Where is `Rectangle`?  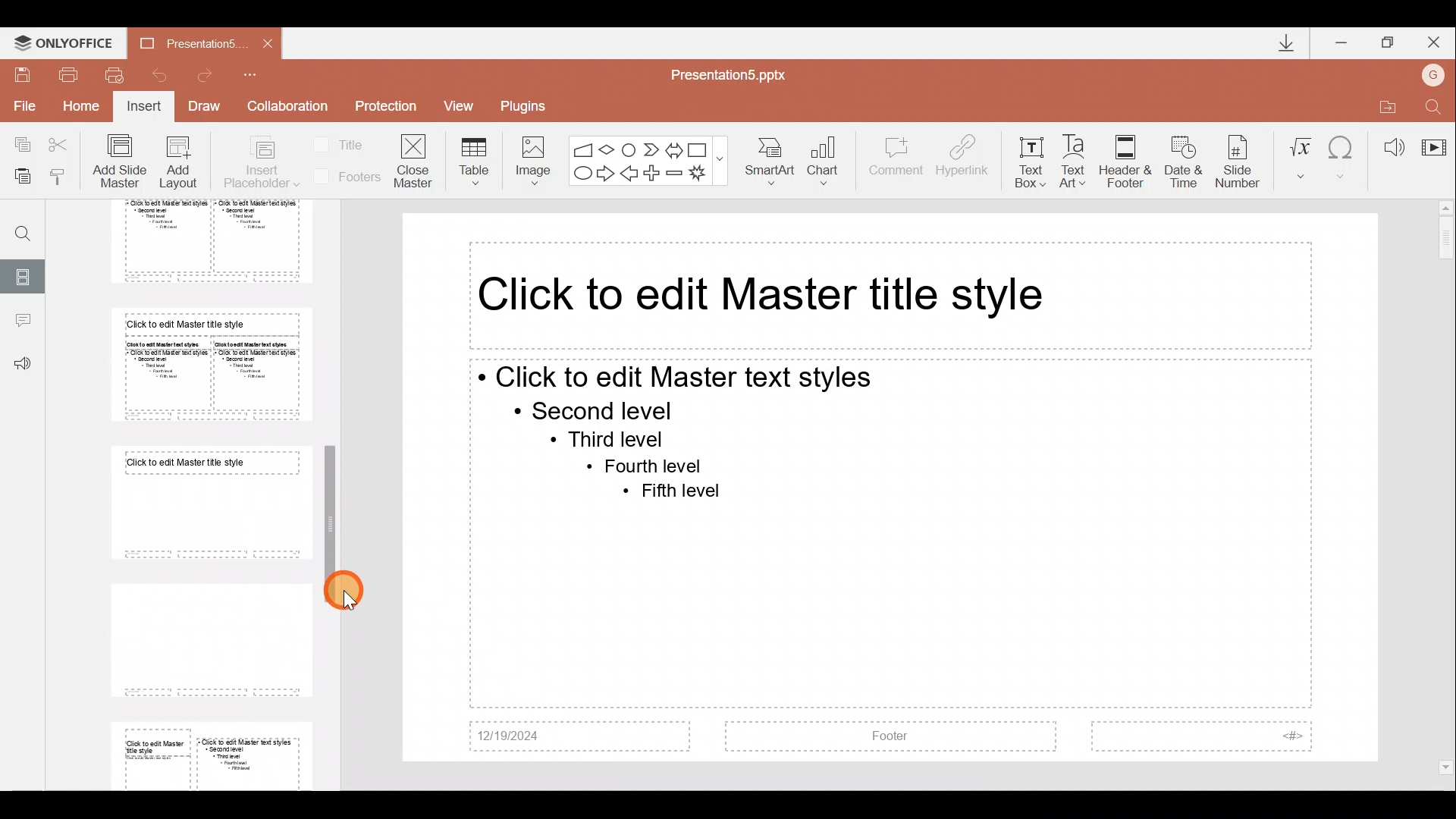 Rectangle is located at coordinates (699, 148).